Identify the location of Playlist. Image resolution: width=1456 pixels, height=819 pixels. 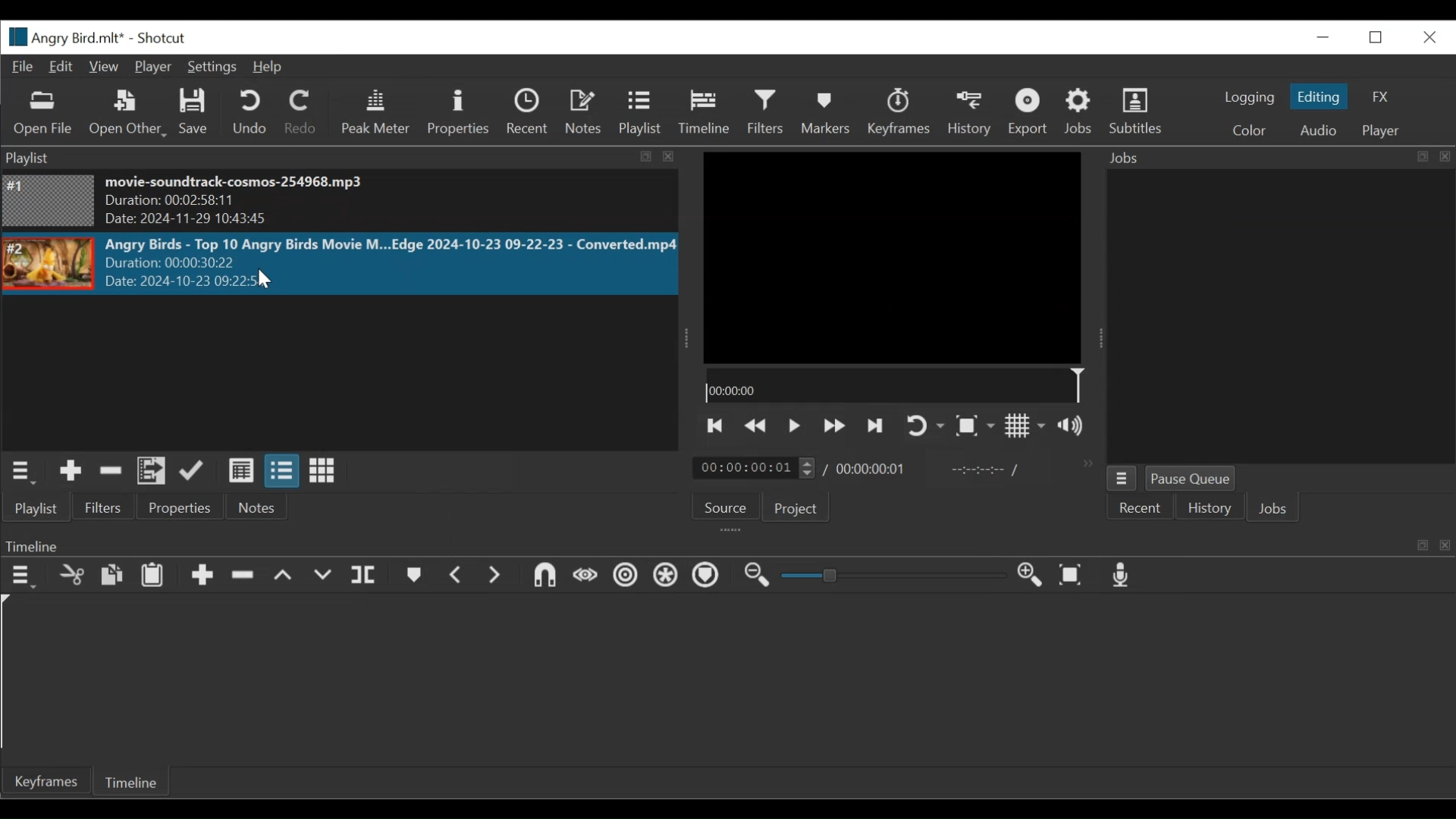
(42, 507).